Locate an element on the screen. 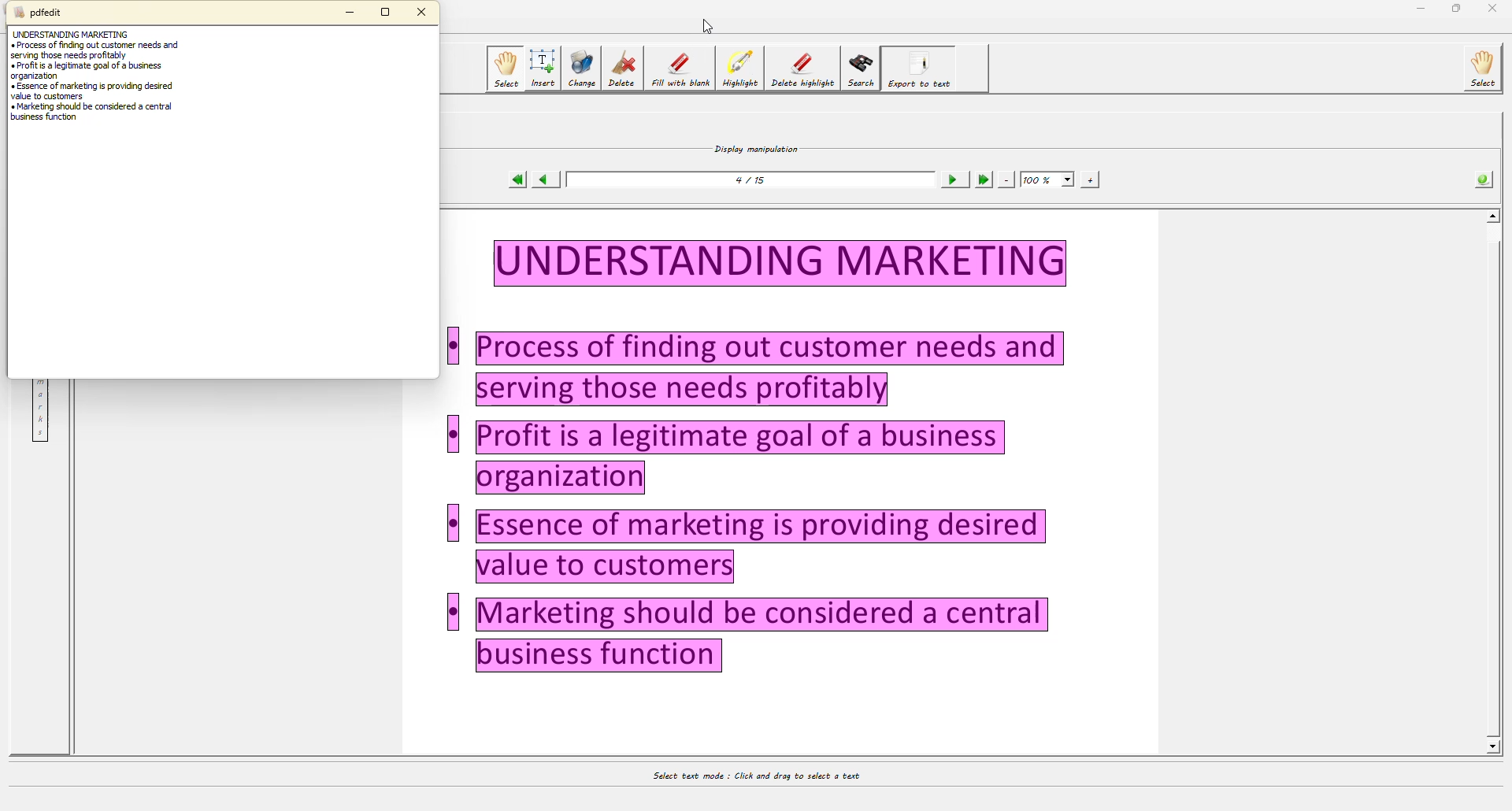 The height and width of the screenshot is (811, 1512). maximize is located at coordinates (1457, 8).